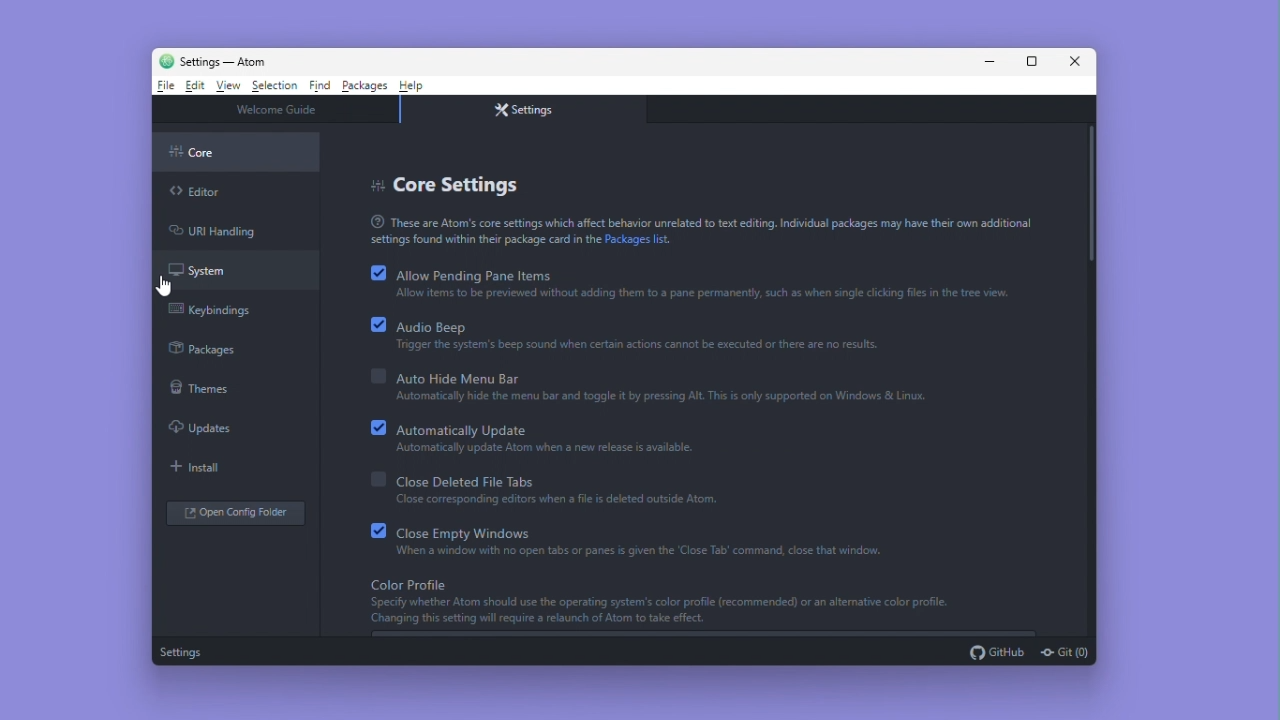 The height and width of the screenshot is (720, 1280). What do you see at coordinates (988, 651) in the screenshot?
I see `github` at bounding box center [988, 651].